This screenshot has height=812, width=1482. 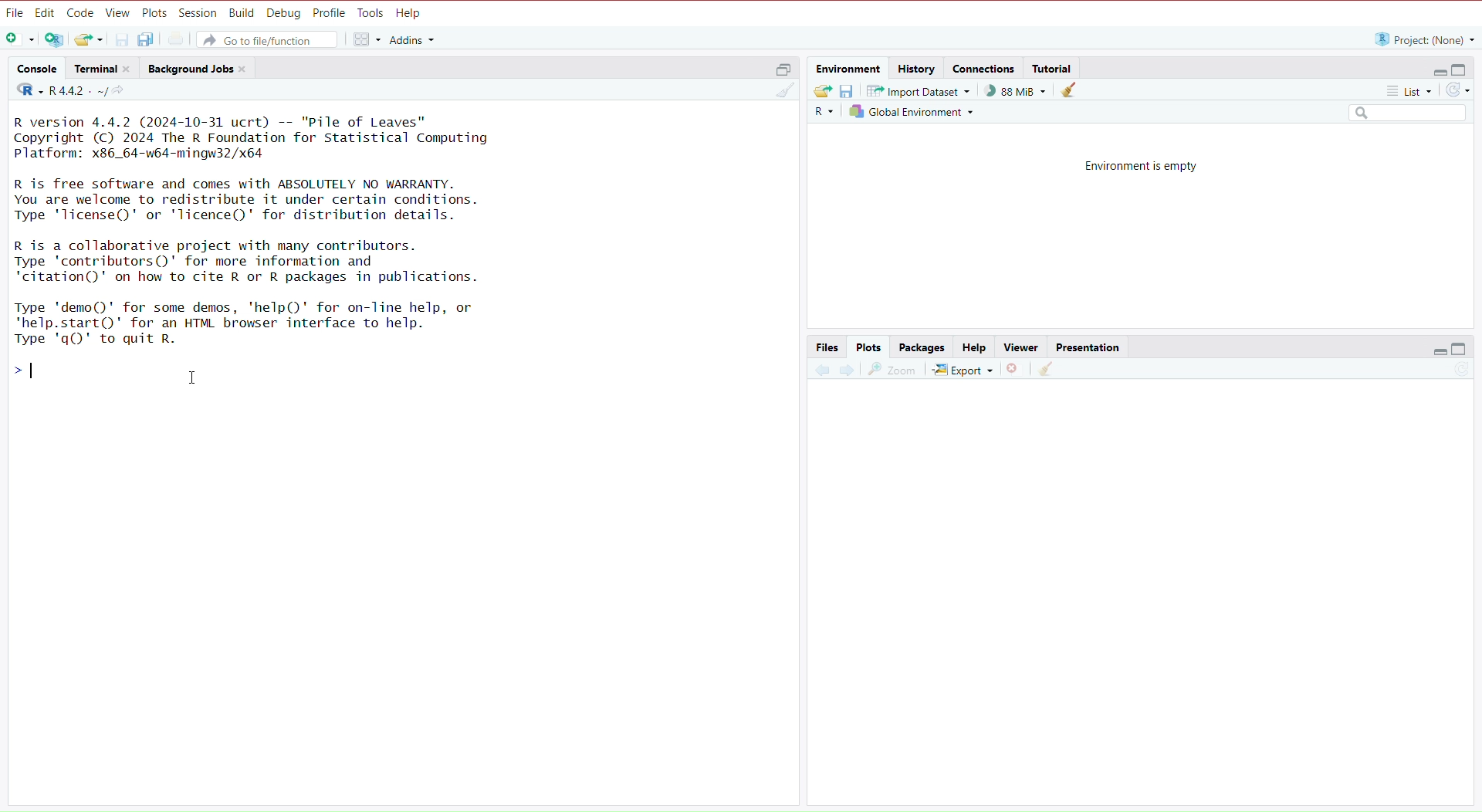 I want to click on Import Dataset, so click(x=915, y=90).